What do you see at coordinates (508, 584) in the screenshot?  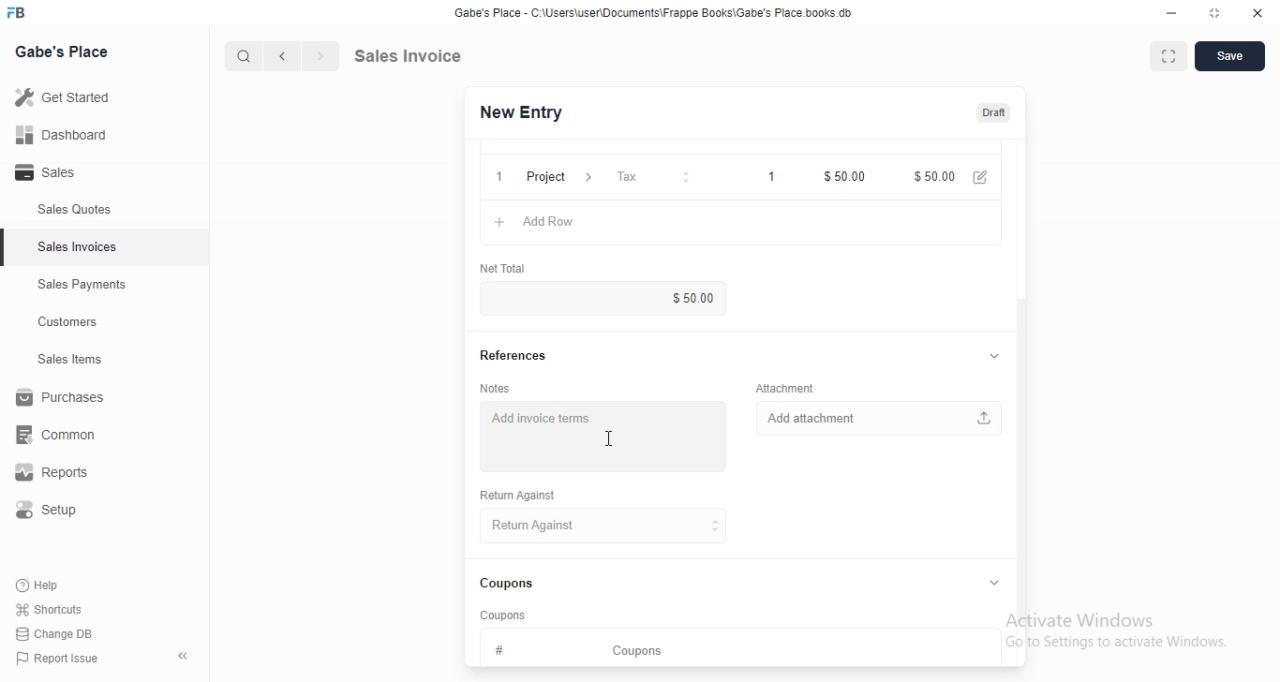 I see `Coupons.` at bounding box center [508, 584].